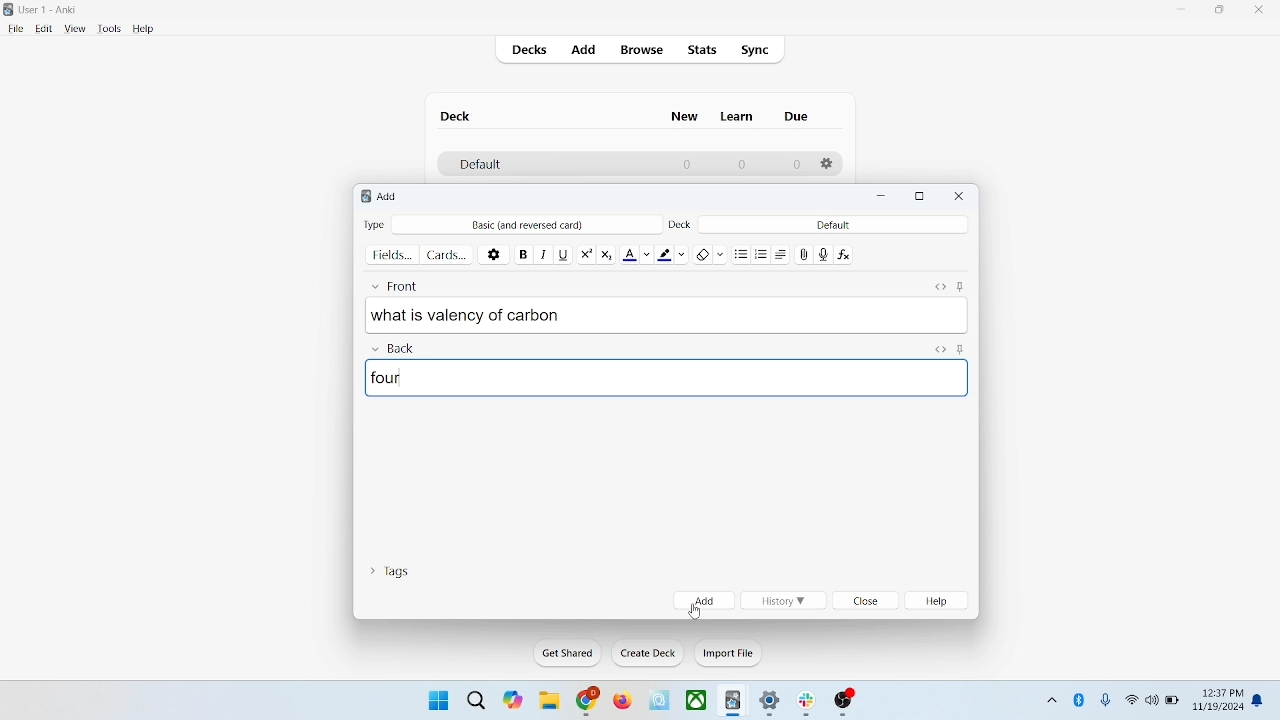 The height and width of the screenshot is (720, 1280). I want to click on icon, so click(734, 702).